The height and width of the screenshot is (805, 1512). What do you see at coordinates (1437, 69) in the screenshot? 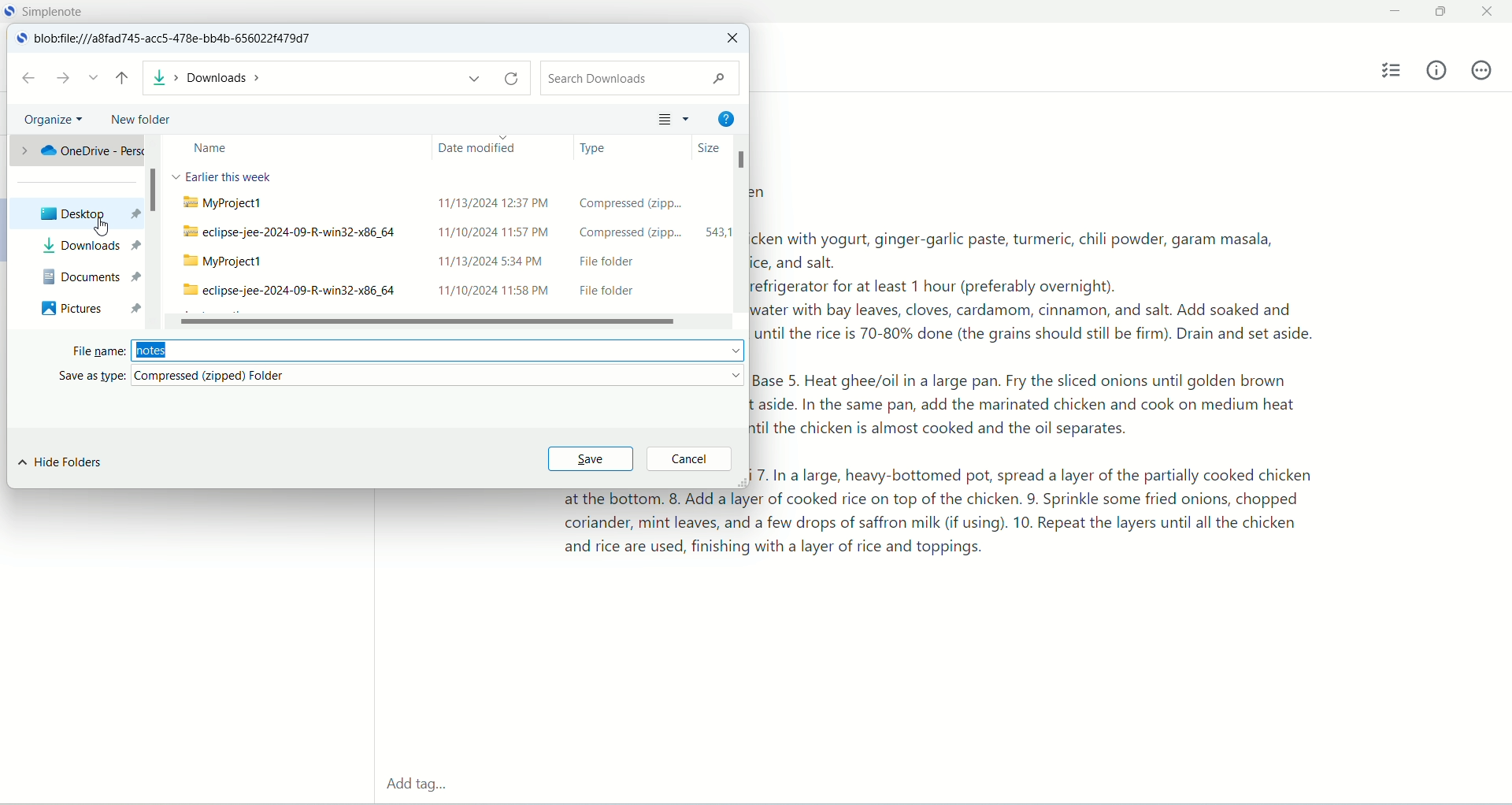
I see `info` at bounding box center [1437, 69].